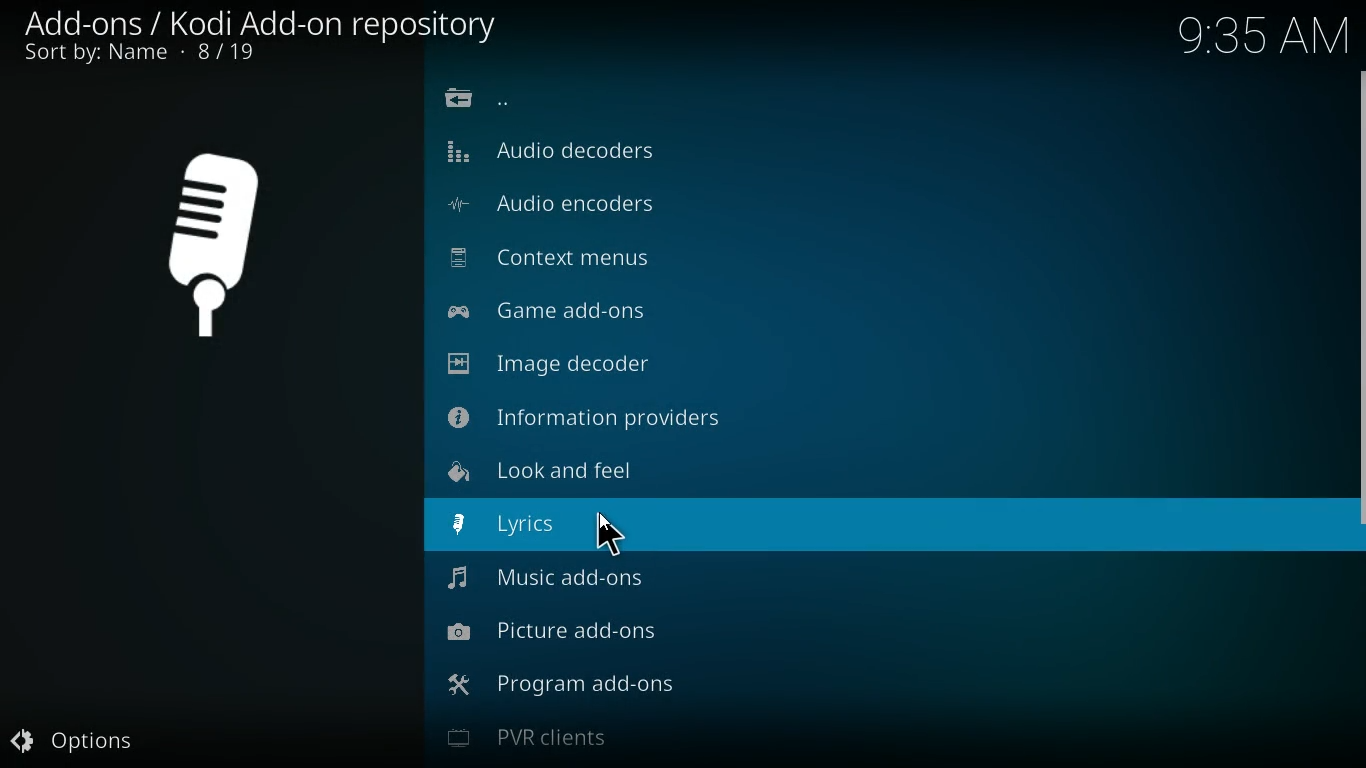  Describe the element at coordinates (486, 100) in the screenshot. I see `back` at that location.